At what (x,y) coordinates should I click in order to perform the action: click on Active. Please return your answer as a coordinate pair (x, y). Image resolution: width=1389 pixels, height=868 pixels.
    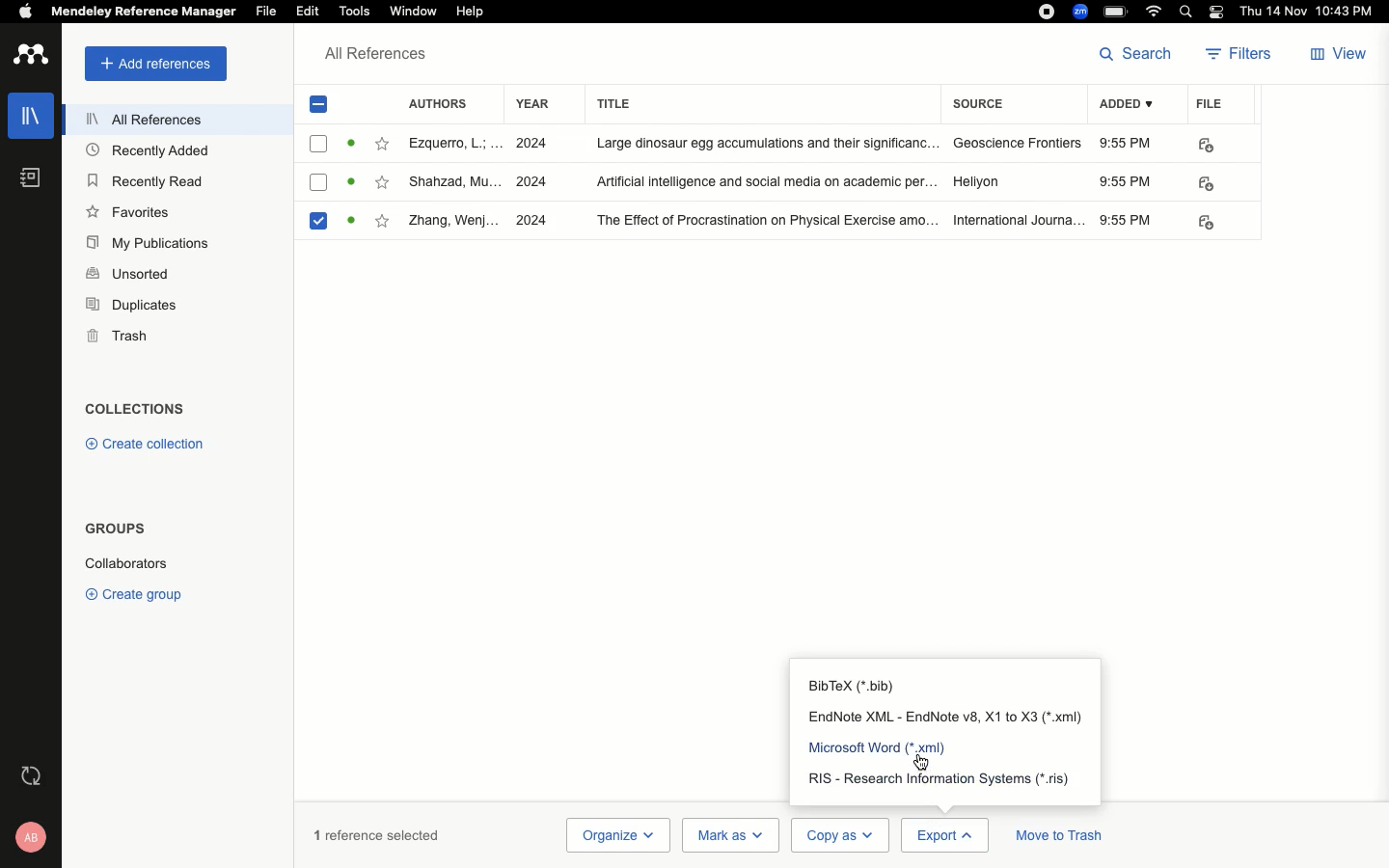
    Looking at the image, I should click on (350, 143).